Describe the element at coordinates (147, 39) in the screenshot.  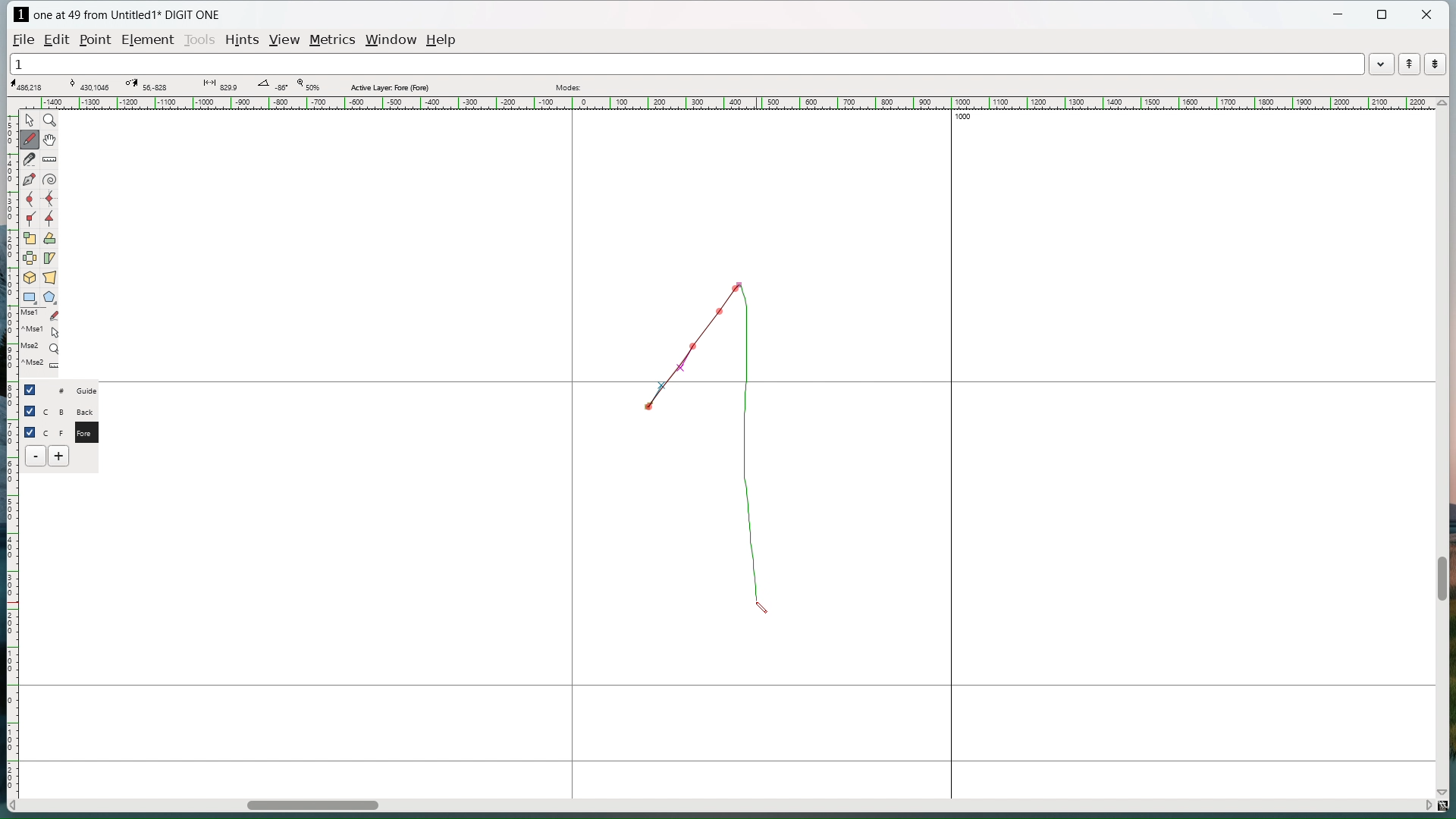
I see `element` at that location.